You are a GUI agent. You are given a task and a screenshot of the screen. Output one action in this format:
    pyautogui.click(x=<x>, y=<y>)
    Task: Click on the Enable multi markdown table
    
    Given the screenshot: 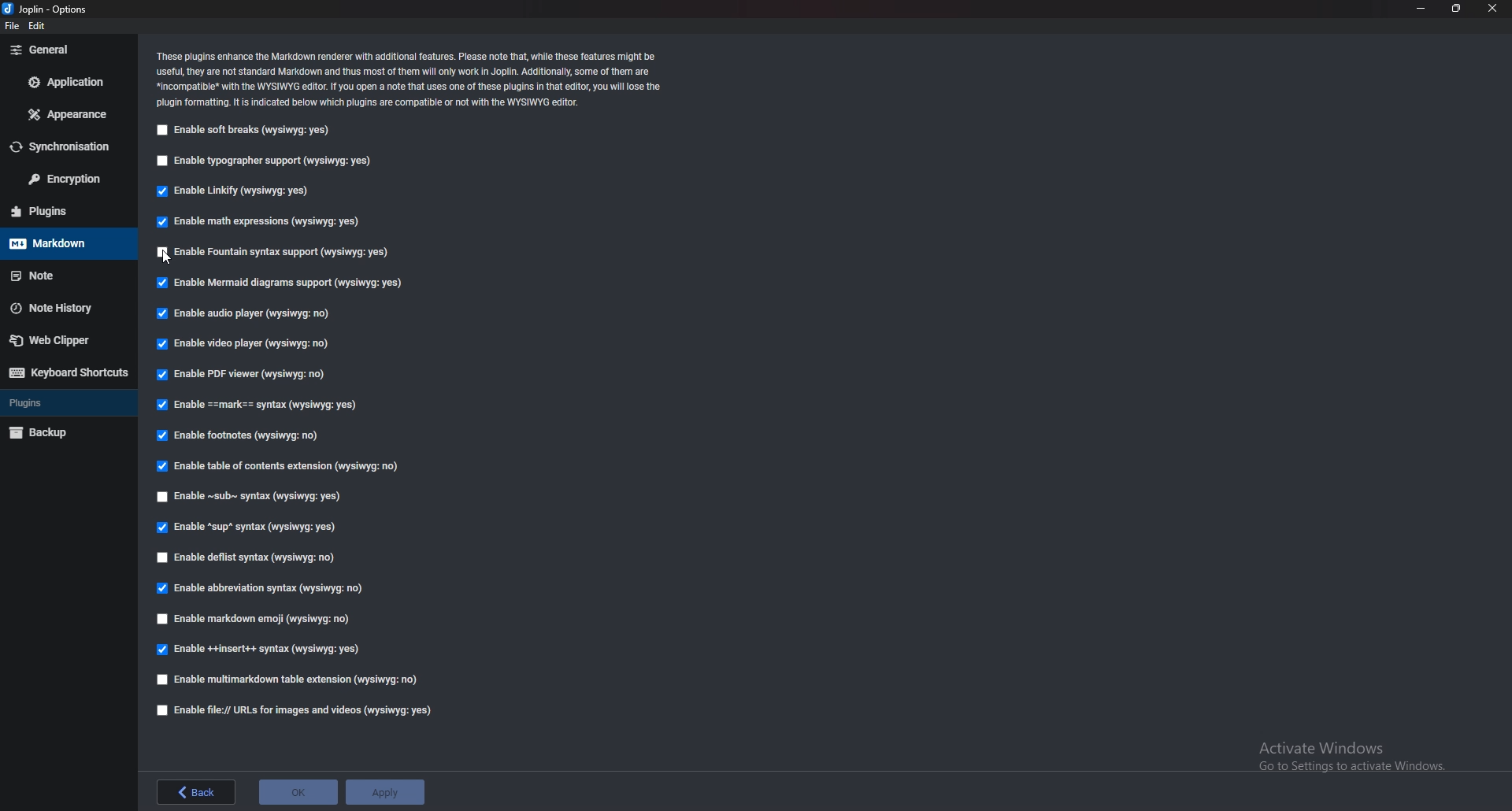 What is the action you would take?
    pyautogui.click(x=292, y=680)
    